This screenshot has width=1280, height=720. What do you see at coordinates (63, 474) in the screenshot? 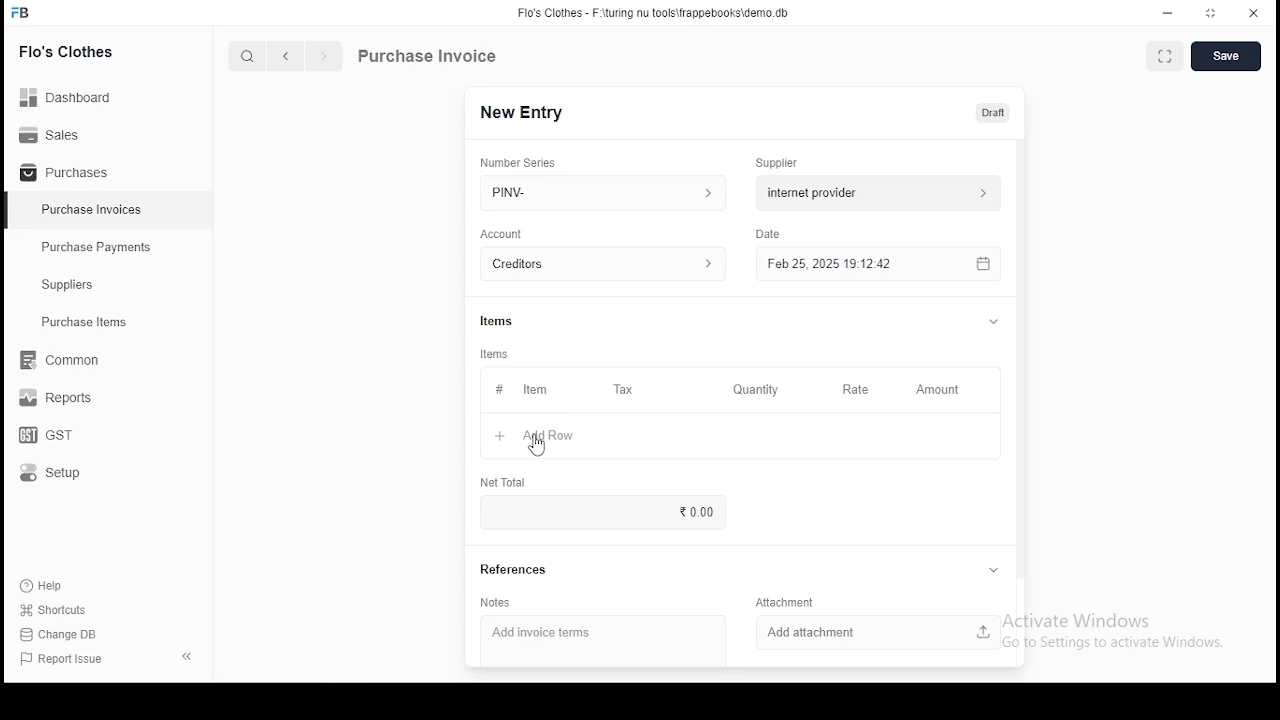
I see `setup` at bounding box center [63, 474].